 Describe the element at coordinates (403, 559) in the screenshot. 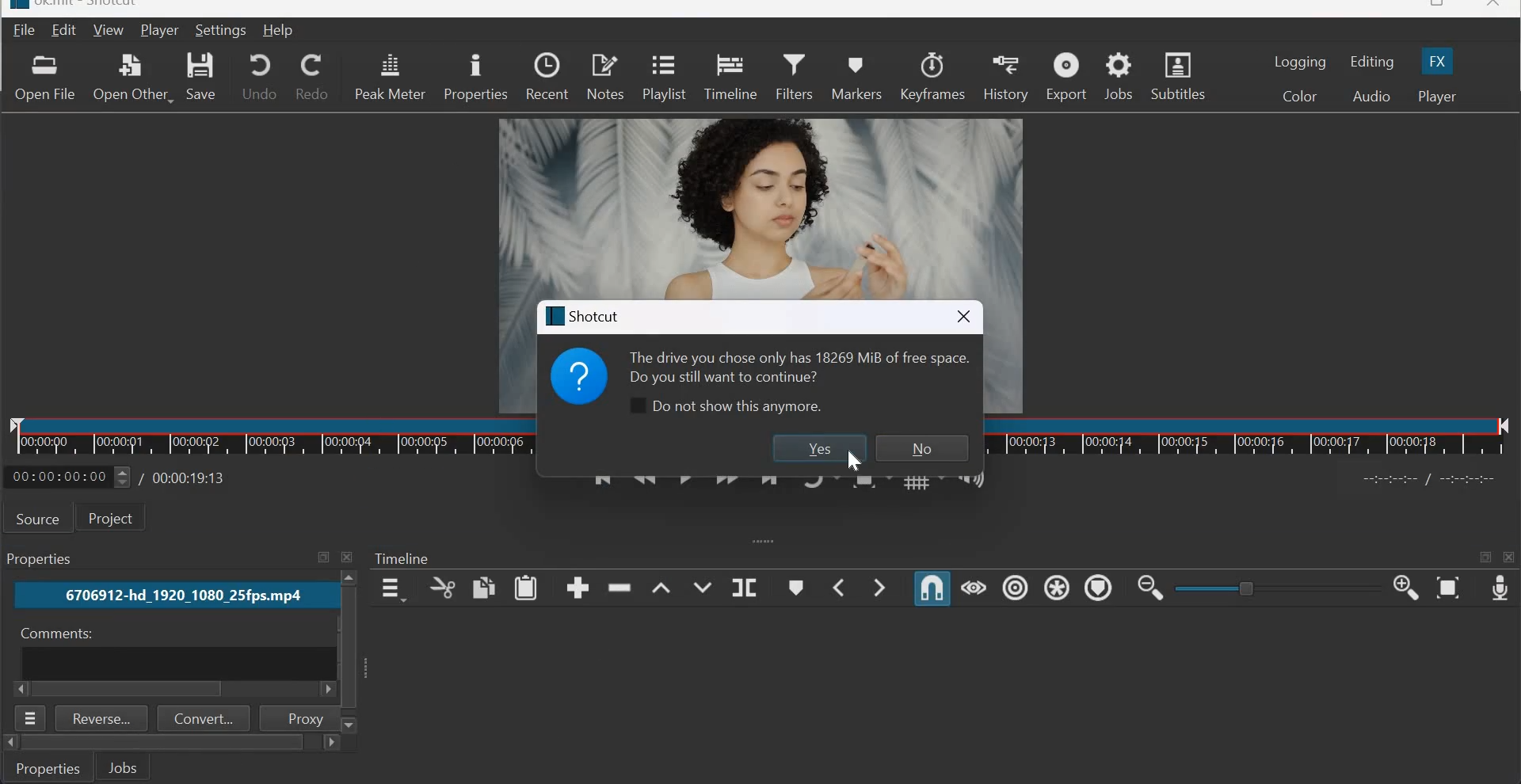

I see `Timeline` at that location.